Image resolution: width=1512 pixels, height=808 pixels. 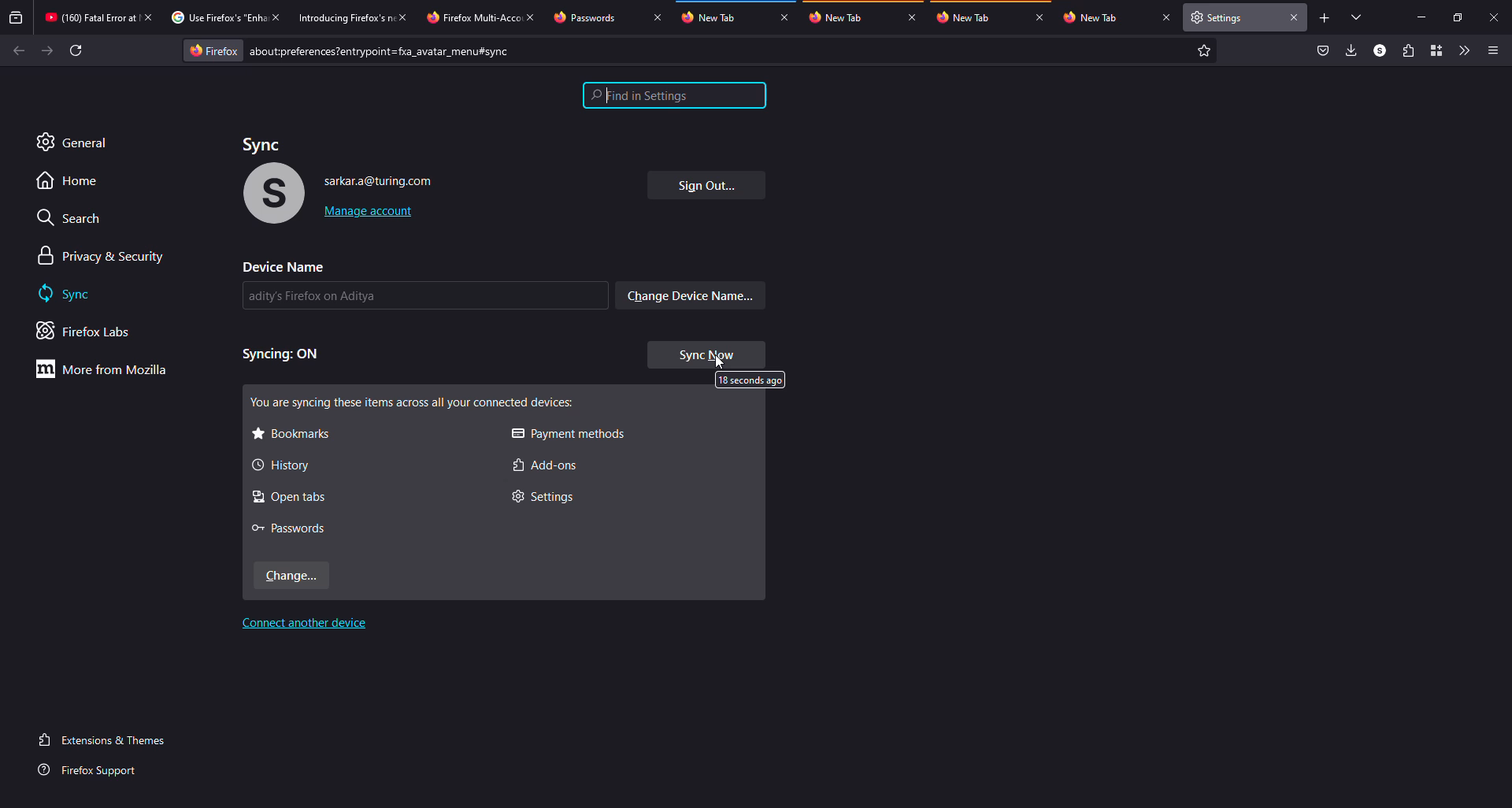 What do you see at coordinates (307, 622) in the screenshot?
I see `connect another device` at bounding box center [307, 622].